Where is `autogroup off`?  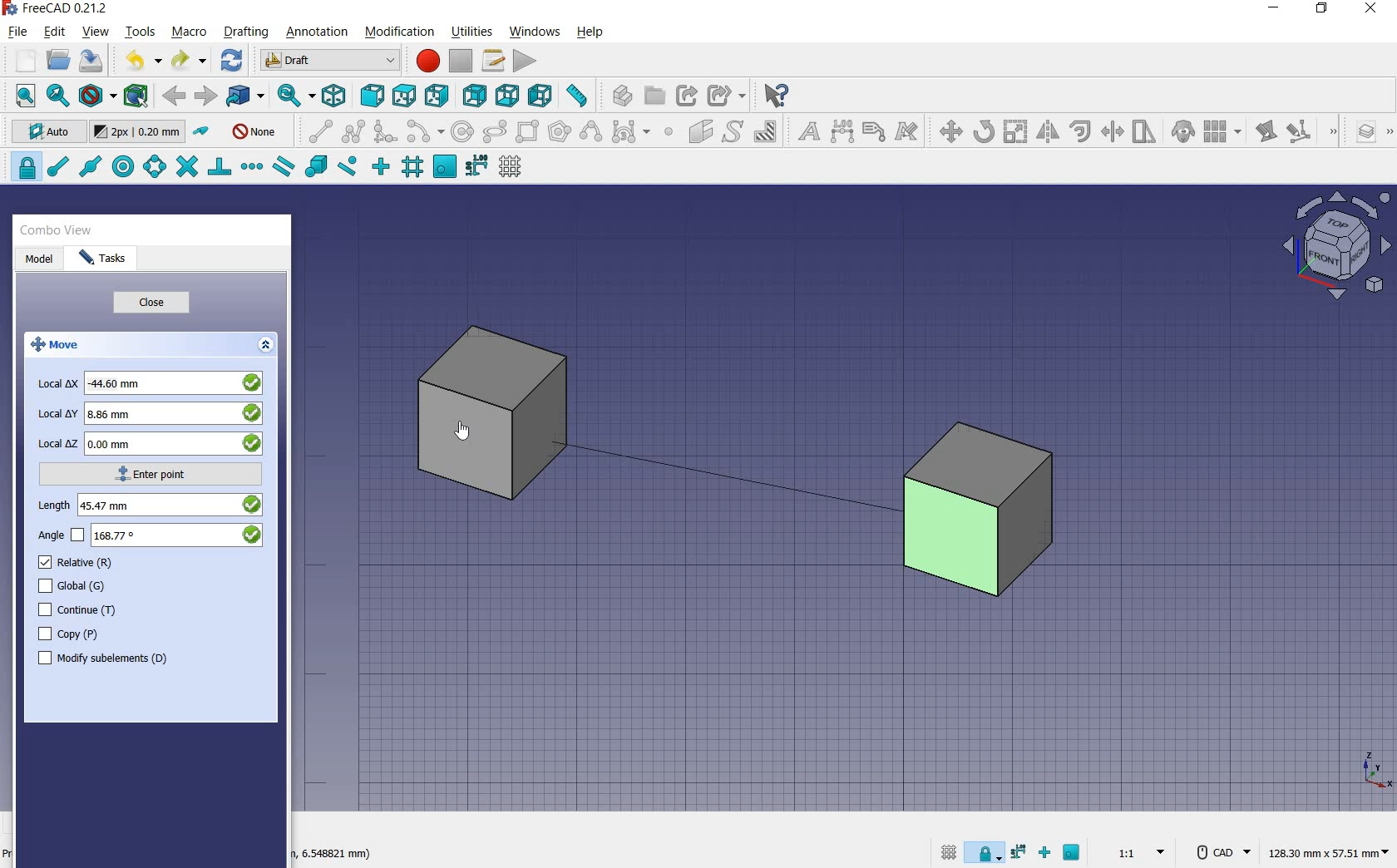 autogroup off is located at coordinates (254, 133).